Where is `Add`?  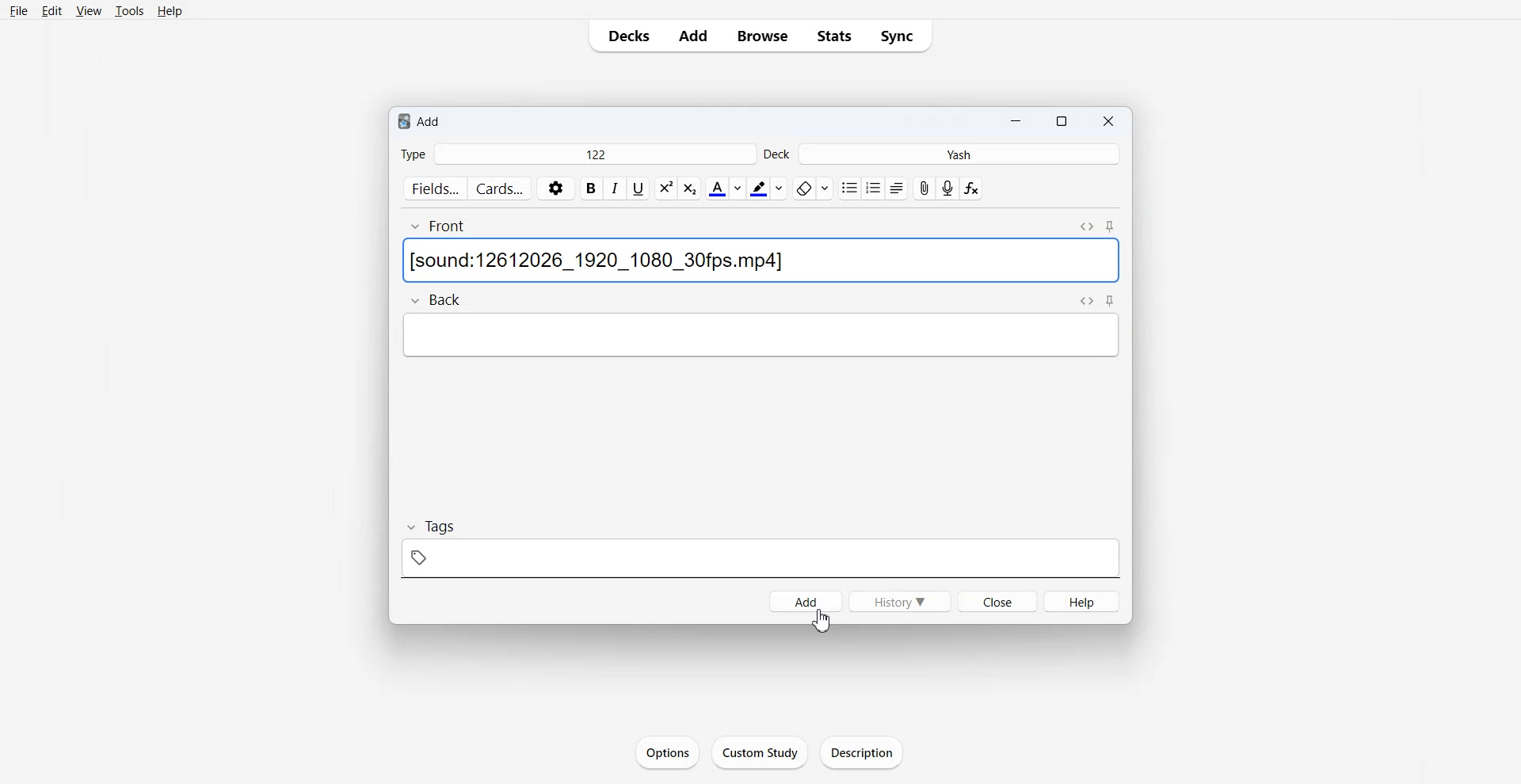 Add is located at coordinates (804, 600).